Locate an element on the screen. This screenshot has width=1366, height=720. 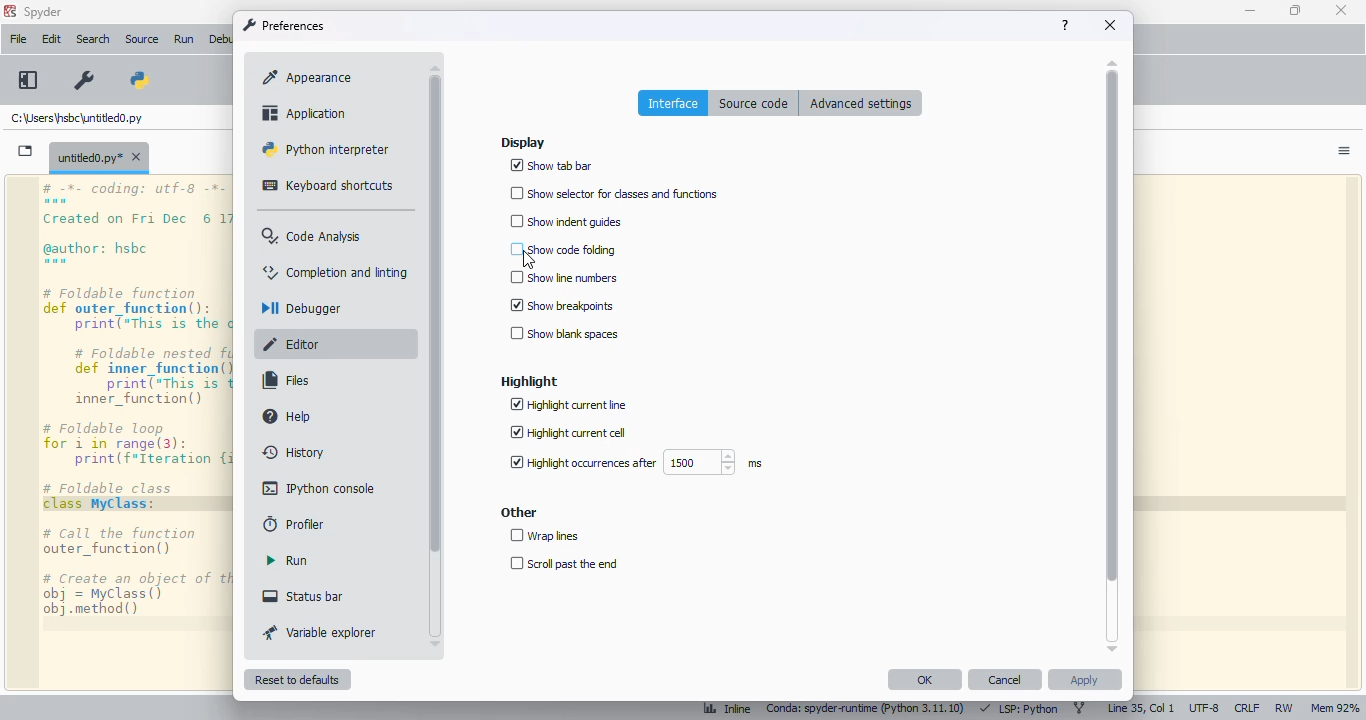
Line 35, col 1 is located at coordinates (1141, 709).